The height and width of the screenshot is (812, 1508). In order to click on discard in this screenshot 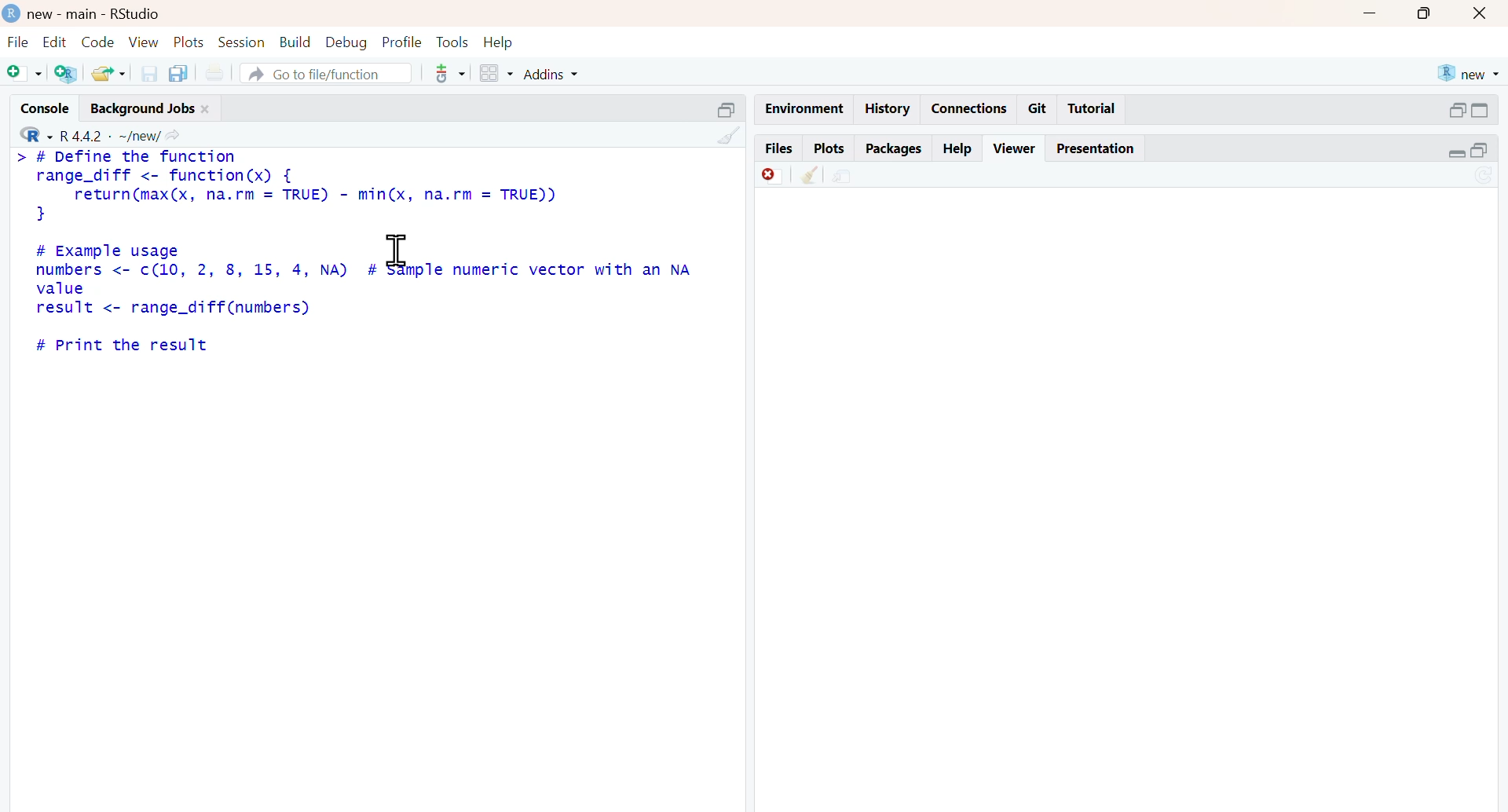, I will do `click(774, 177)`.